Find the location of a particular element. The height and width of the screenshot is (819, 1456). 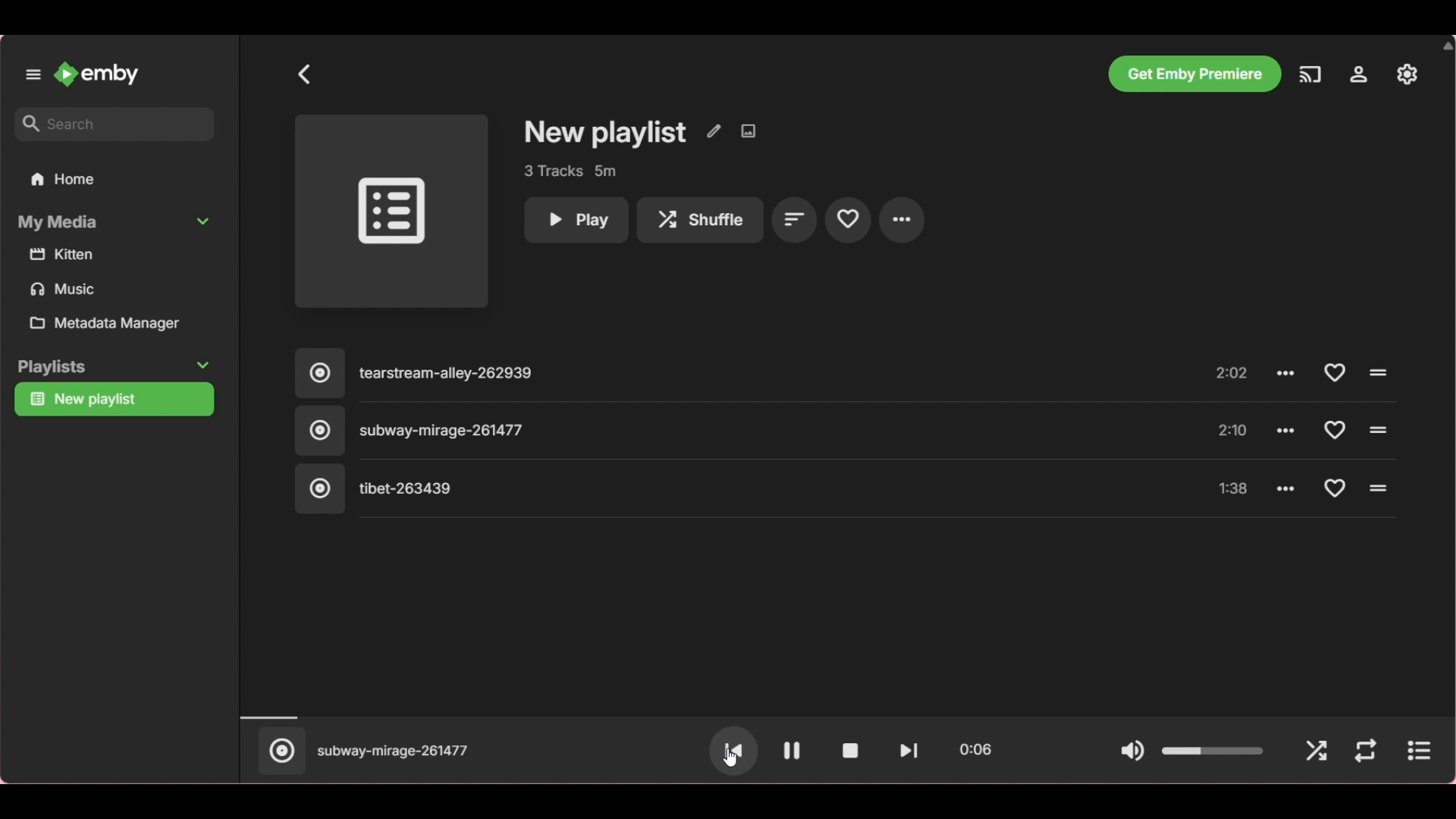

Name of current song, Song 2 is located at coordinates (394, 752).